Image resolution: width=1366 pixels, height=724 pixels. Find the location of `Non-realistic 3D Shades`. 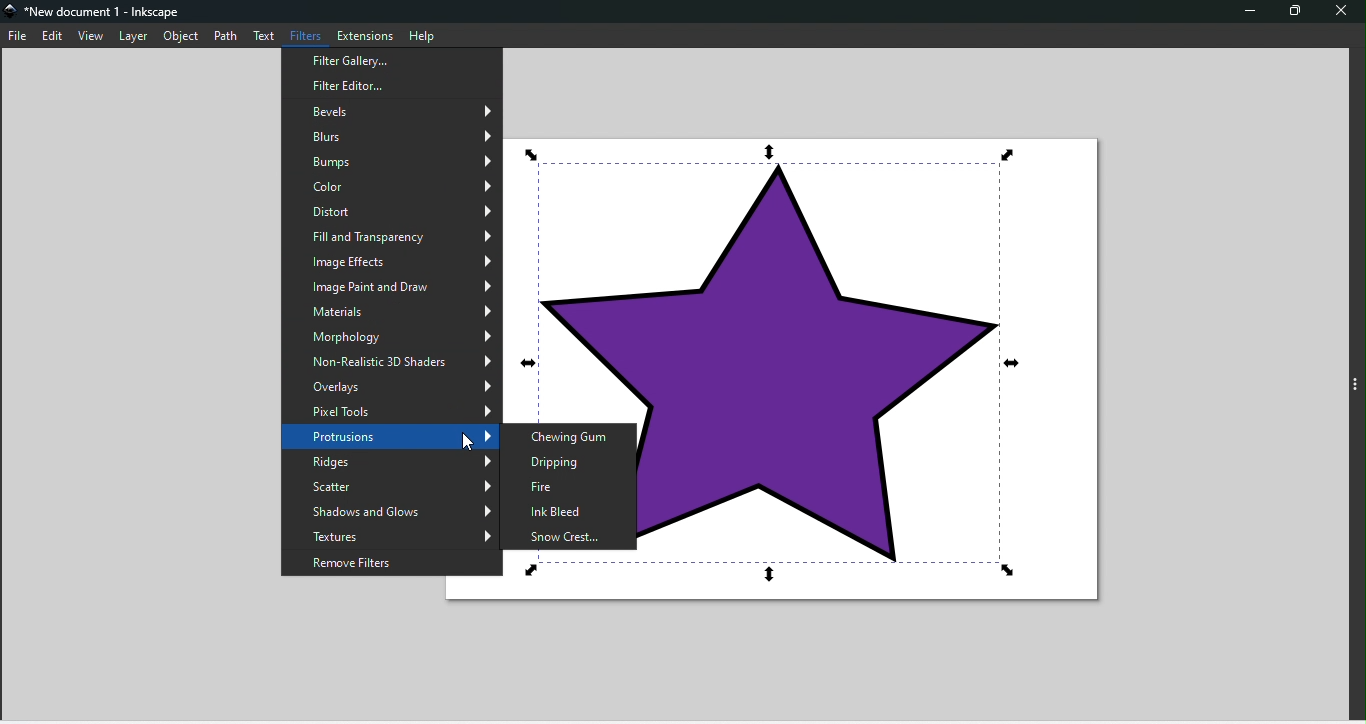

Non-realistic 3D Shades is located at coordinates (390, 359).